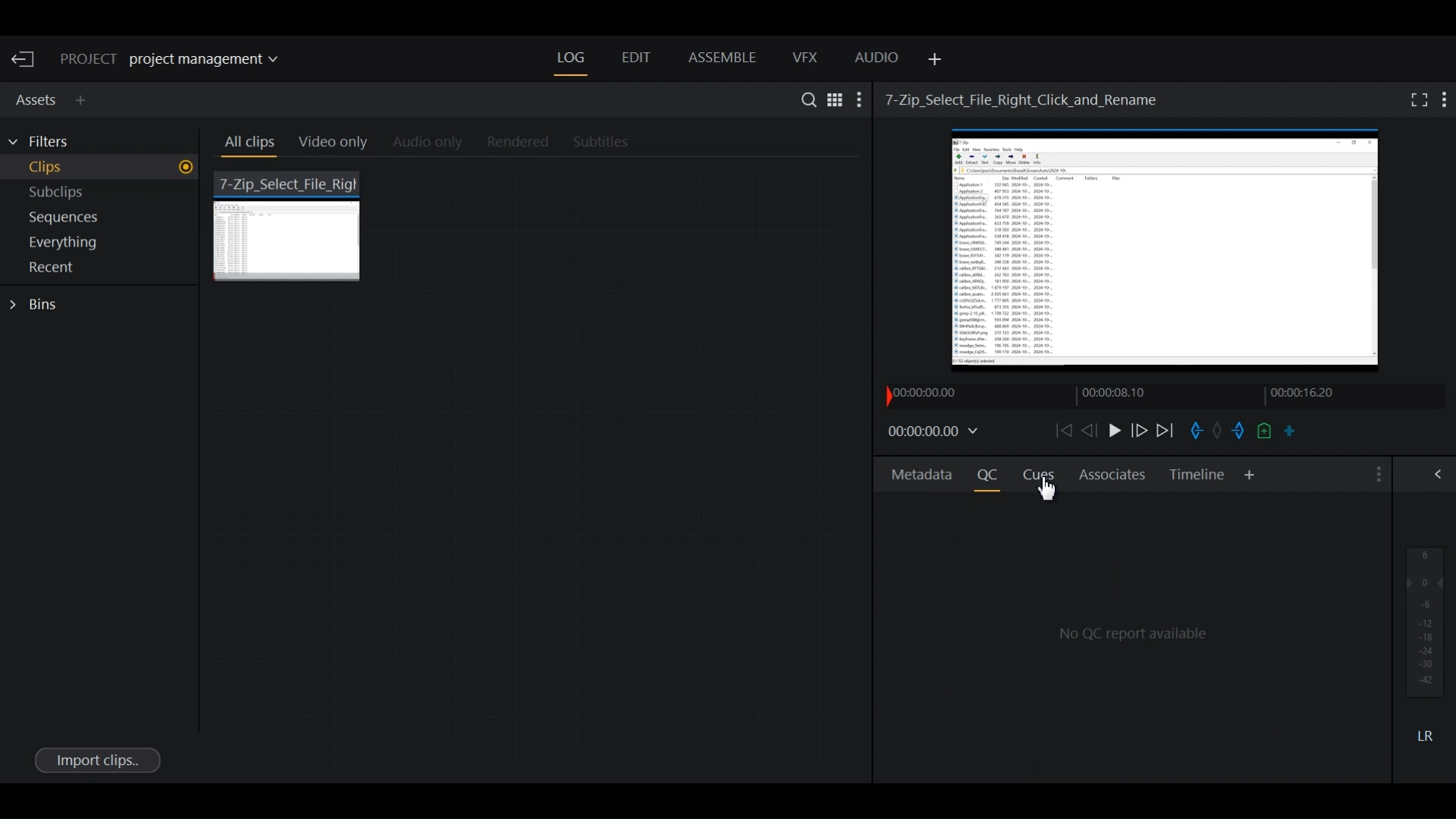 The width and height of the screenshot is (1456, 819). Describe the element at coordinates (33, 98) in the screenshot. I see `Assets` at that location.